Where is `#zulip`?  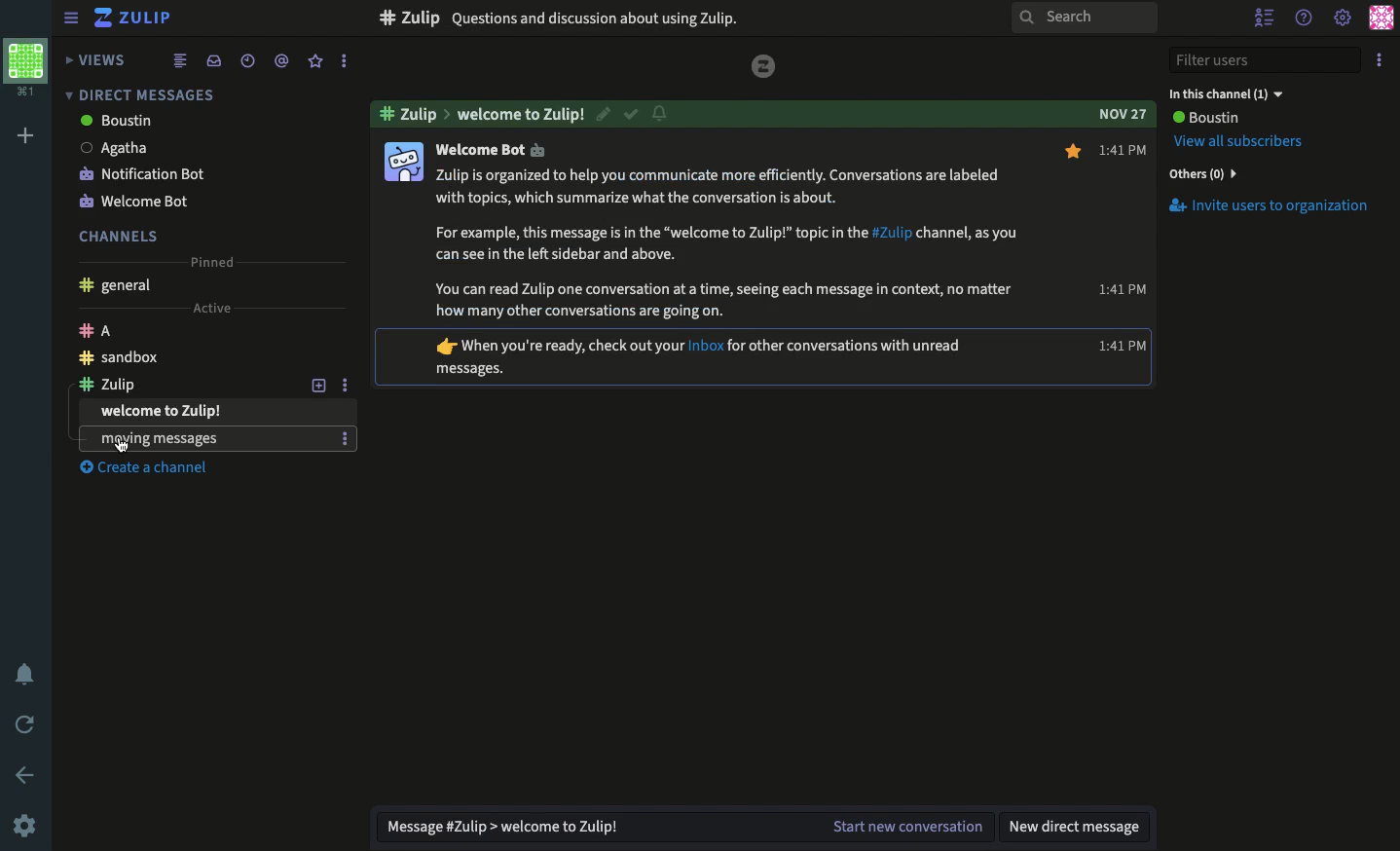 #zulip is located at coordinates (407, 115).